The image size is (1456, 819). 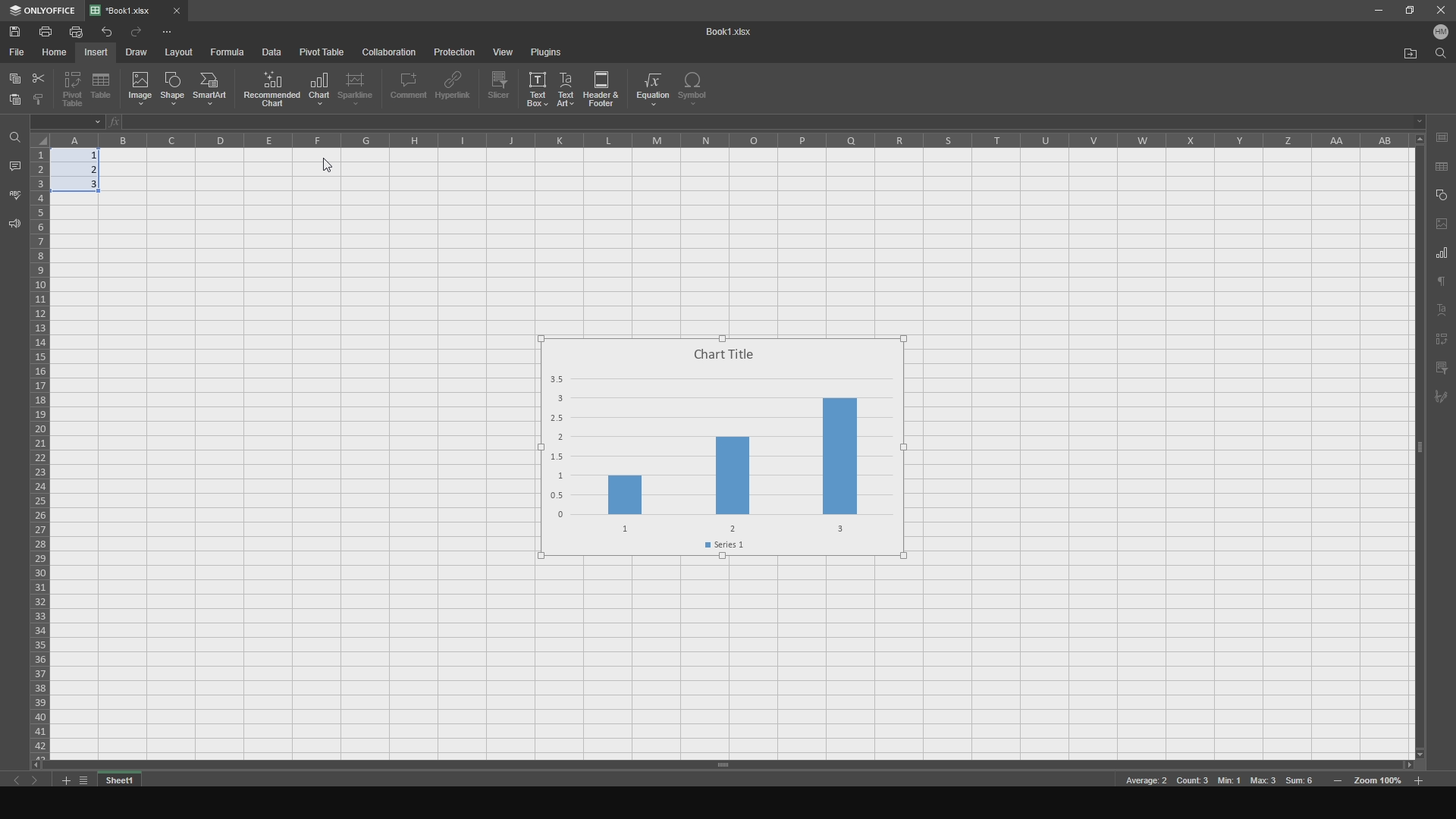 What do you see at coordinates (1407, 12) in the screenshot?
I see `maxiize` at bounding box center [1407, 12].